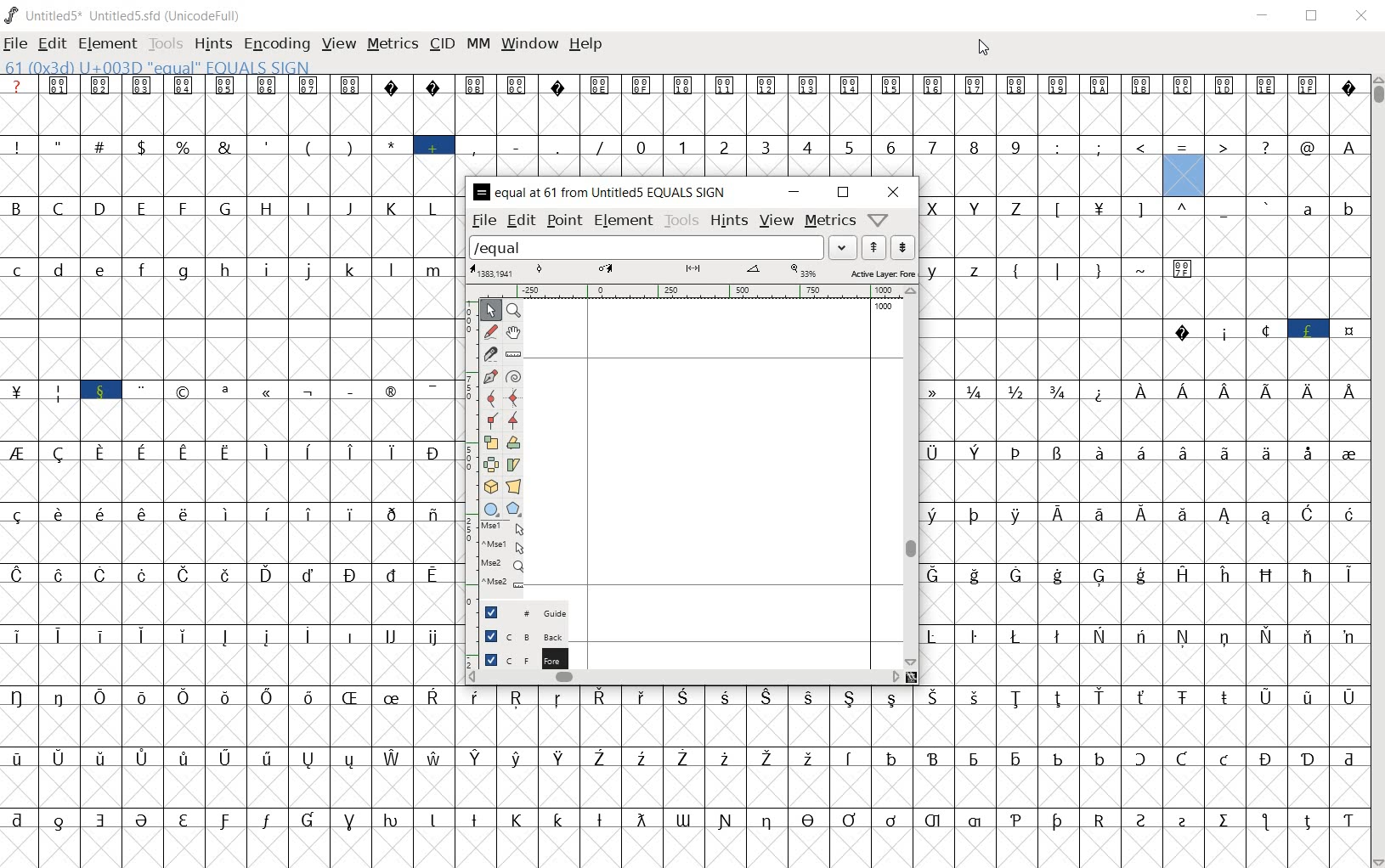 The image size is (1385, 868). I want to click on encoding, so click(274, 43).